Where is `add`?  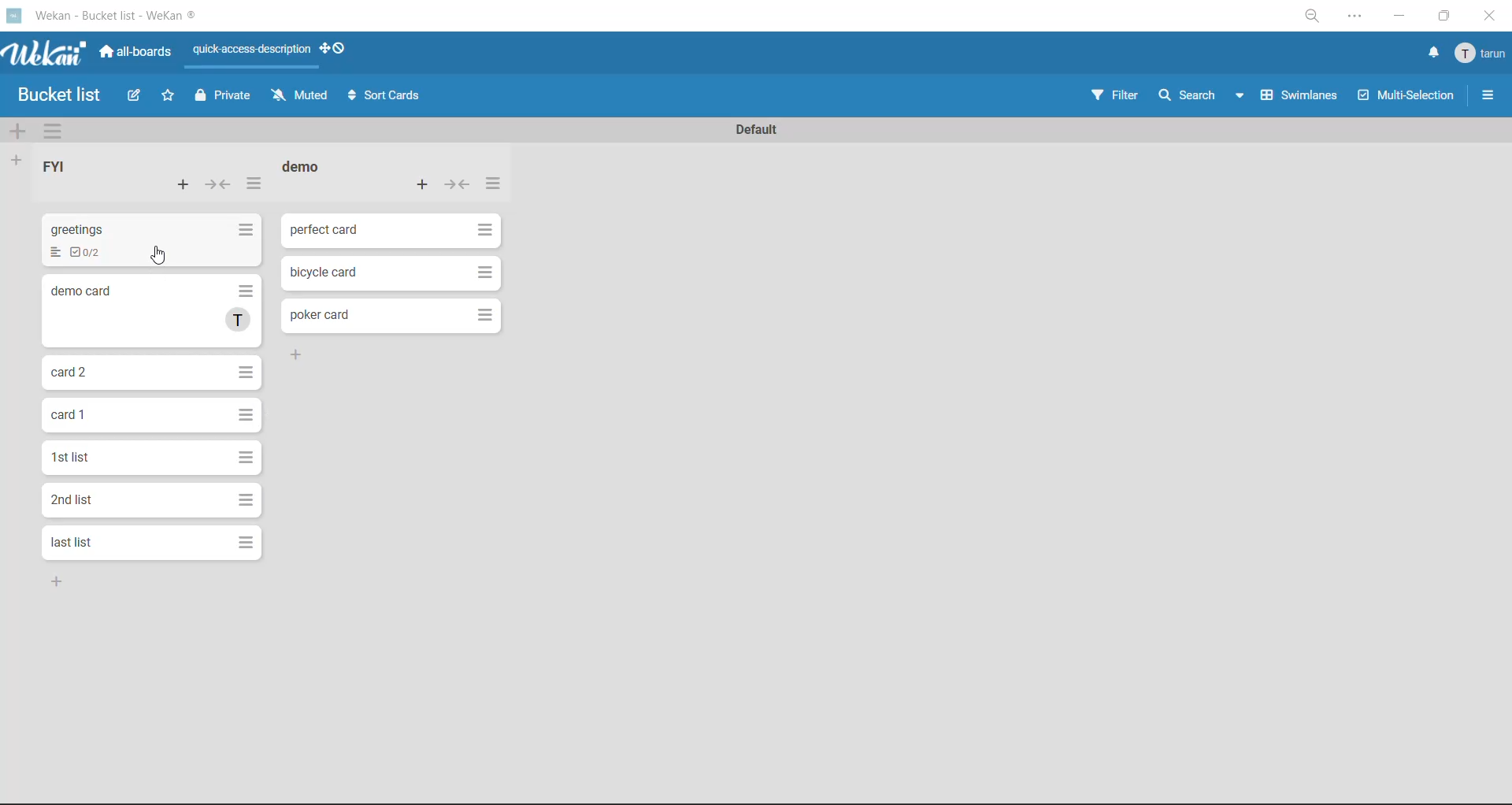
add is located at coordinates (57, 582).